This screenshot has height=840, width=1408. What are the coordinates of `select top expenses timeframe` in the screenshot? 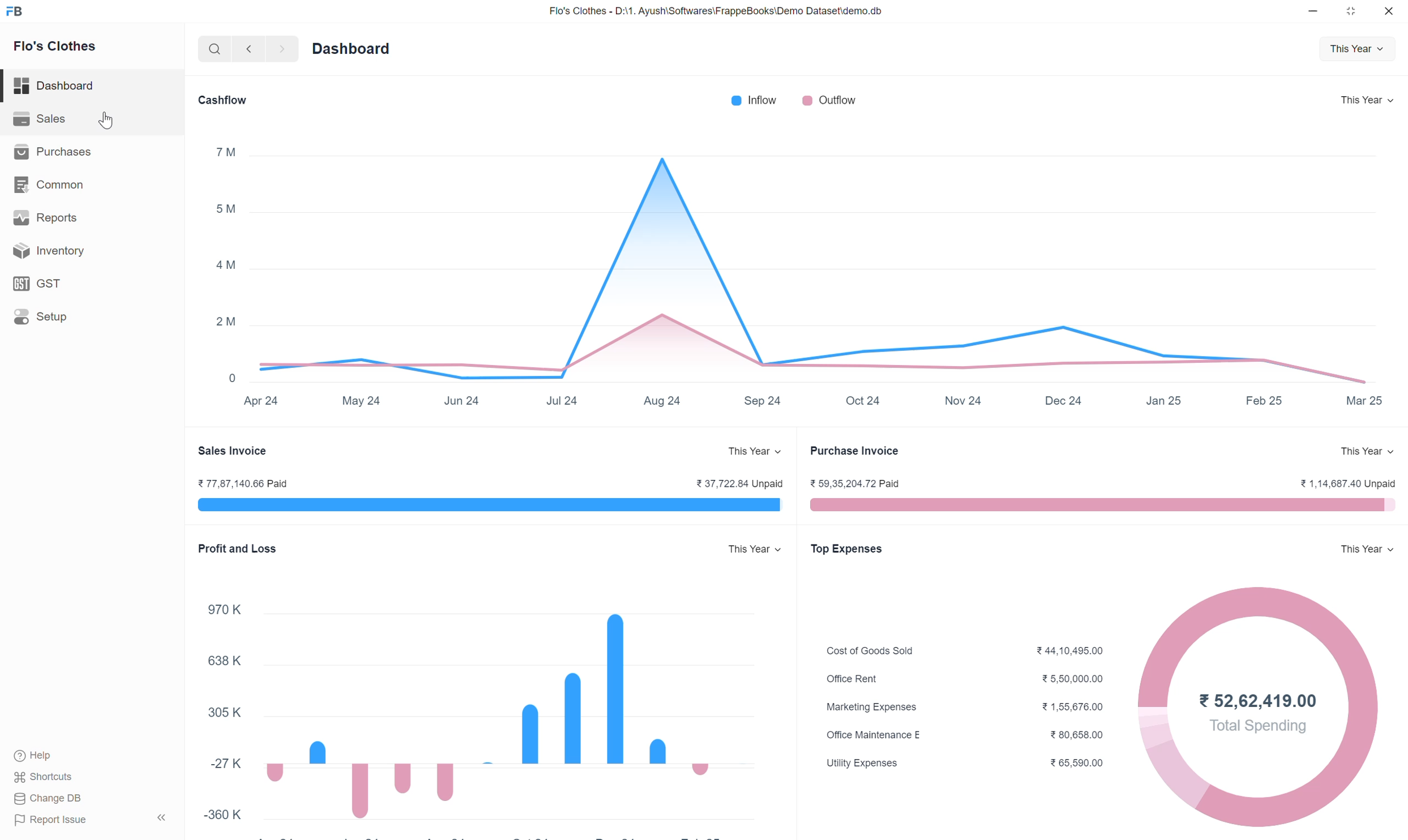 It's located at (1360, 548).